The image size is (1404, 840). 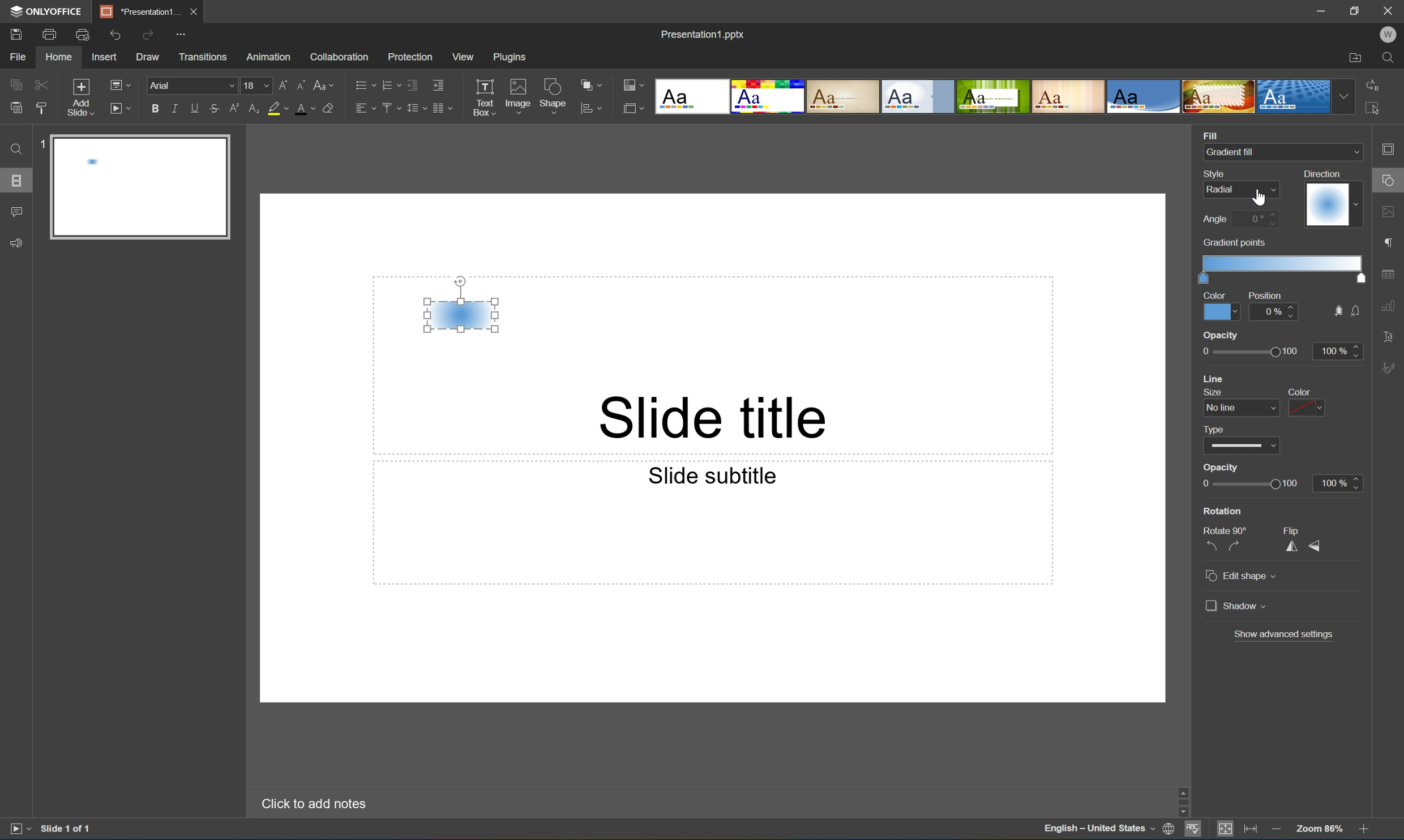 What do you see at coordinates (78, 98) in the screenshot?
I see `Add slide` at bounding box center [78, 98].